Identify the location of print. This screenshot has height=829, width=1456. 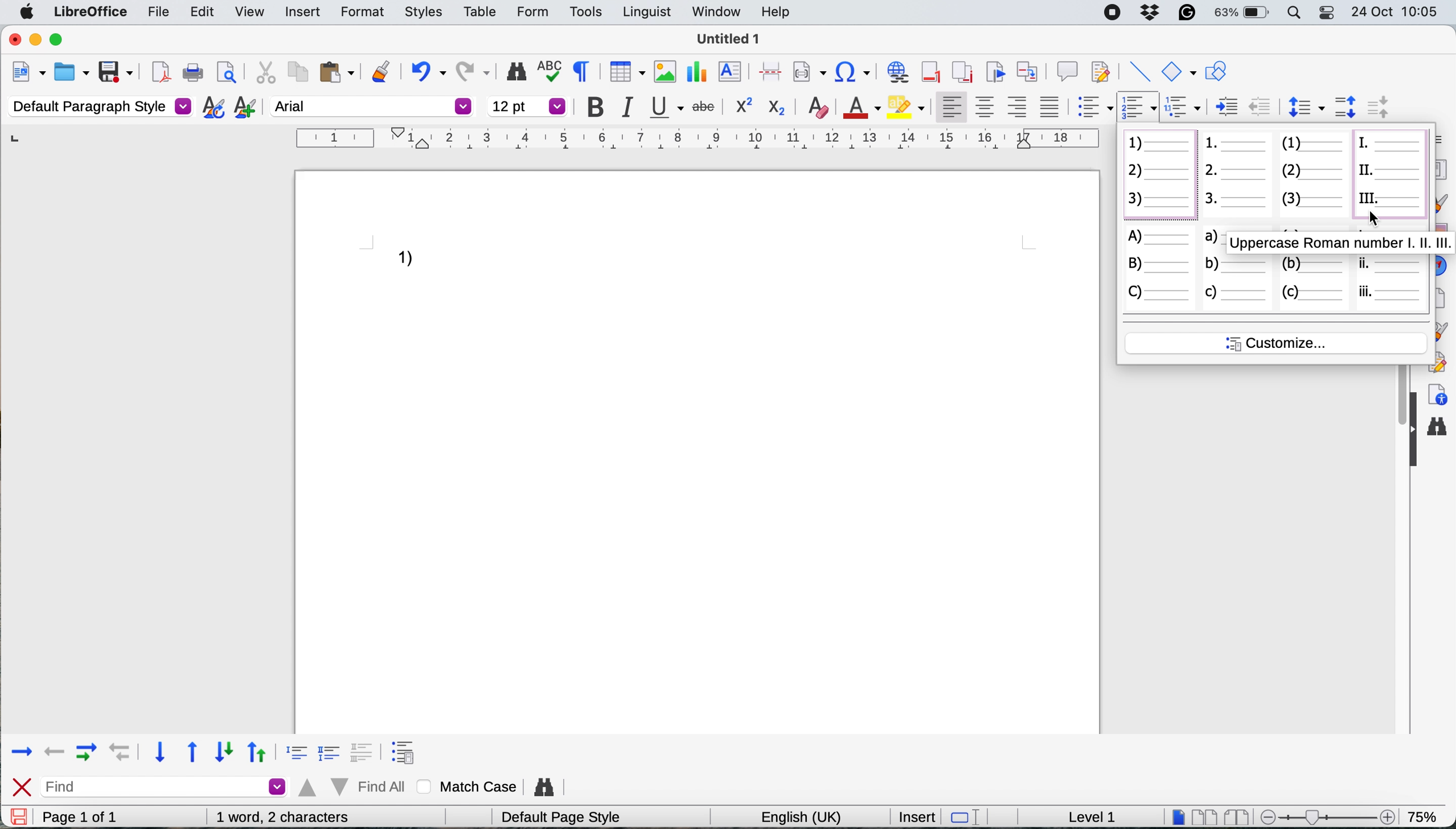
(194, 73).